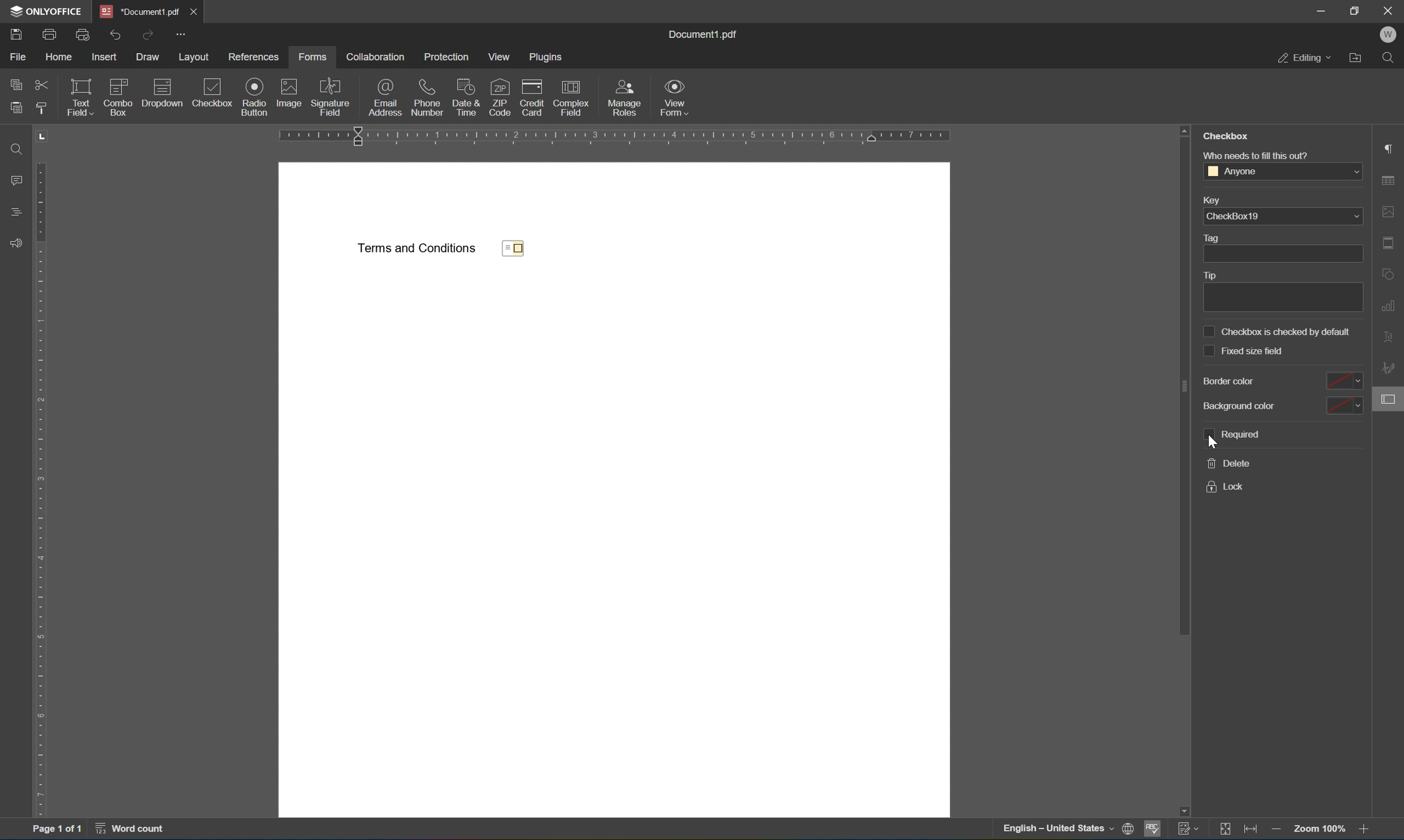  What do you see at coordinates (499, 96) in the screenshot?
I see `zip codes` at bounding box center [499, 96].